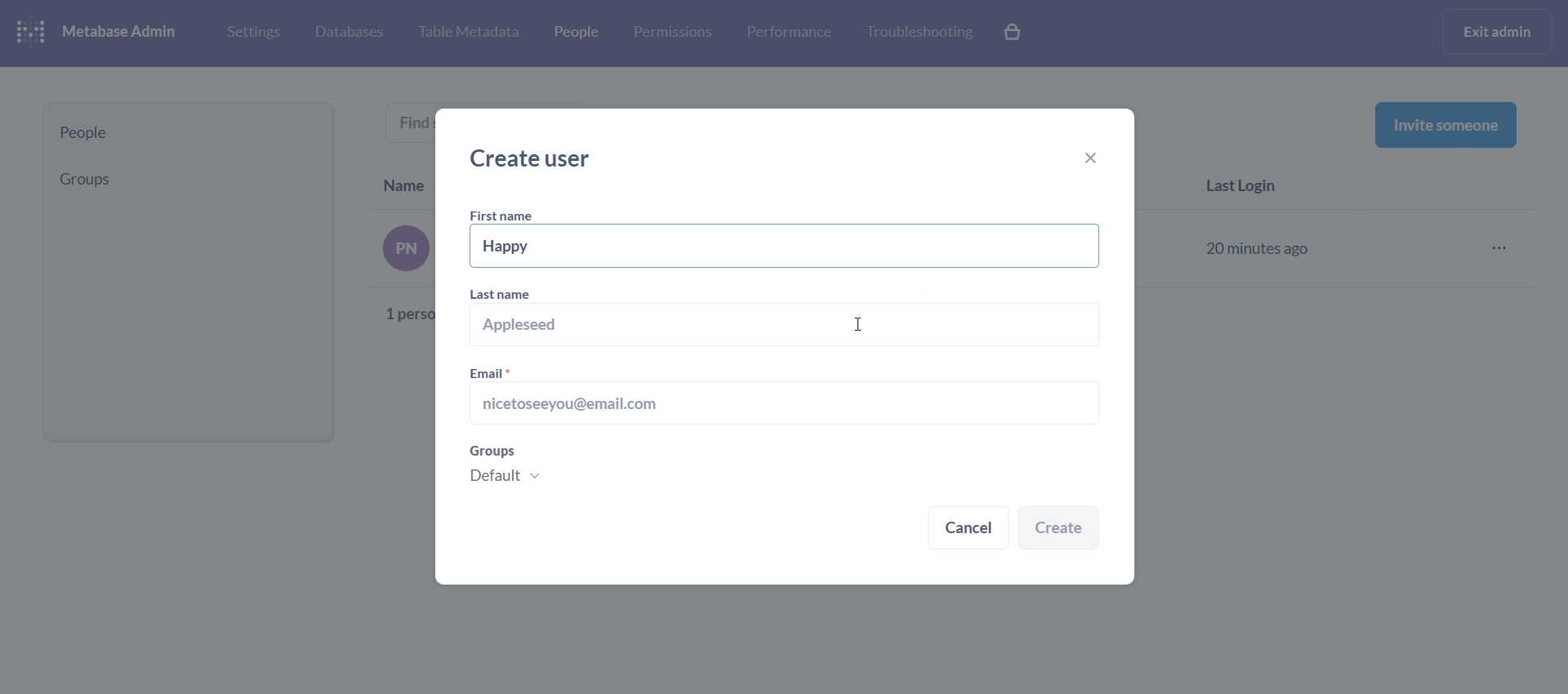 This screenshot has width=1568, height=694. I want to click on close, so click(1098, 160).